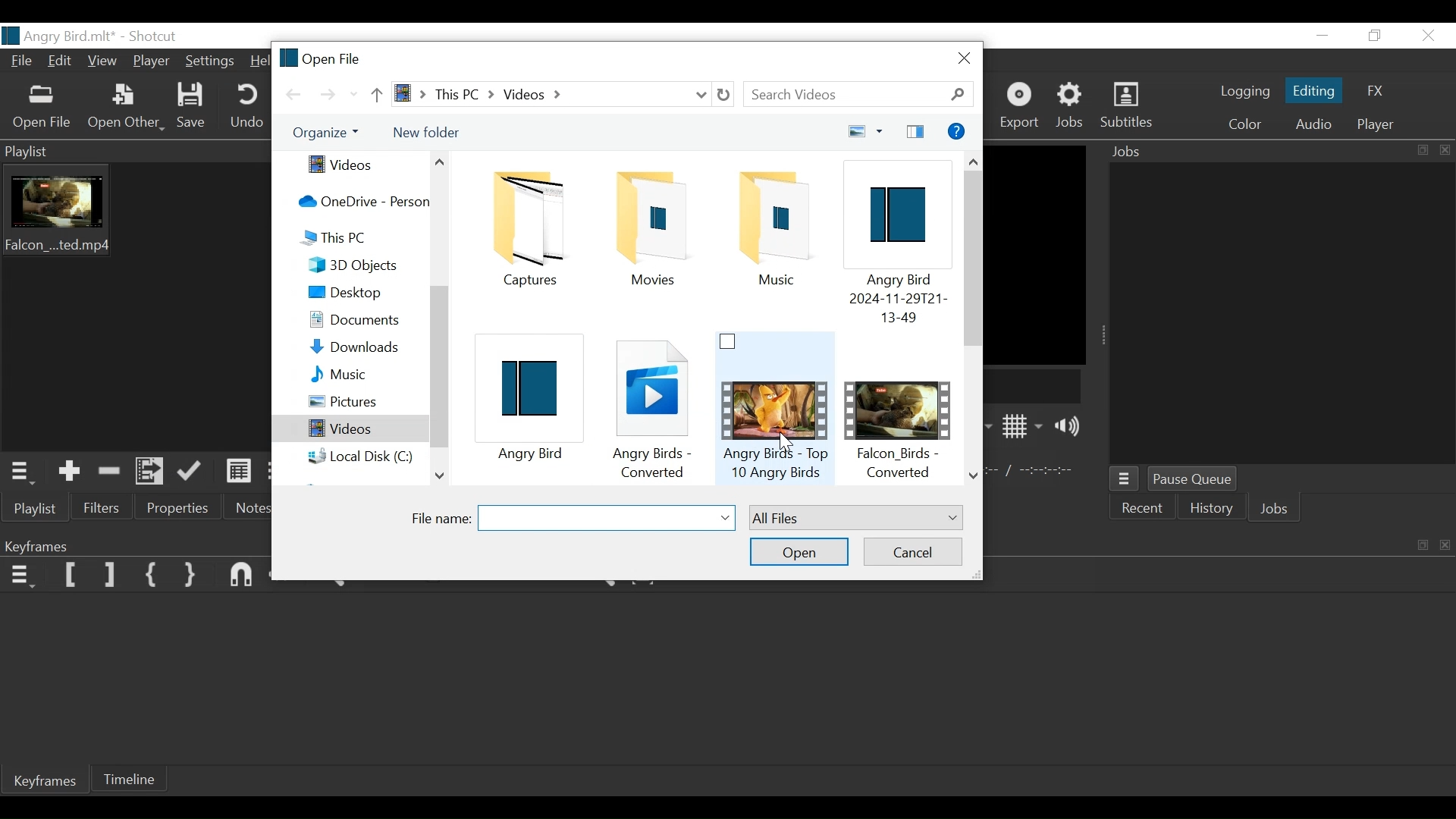  I want to click on Video File, so click(776, 408).